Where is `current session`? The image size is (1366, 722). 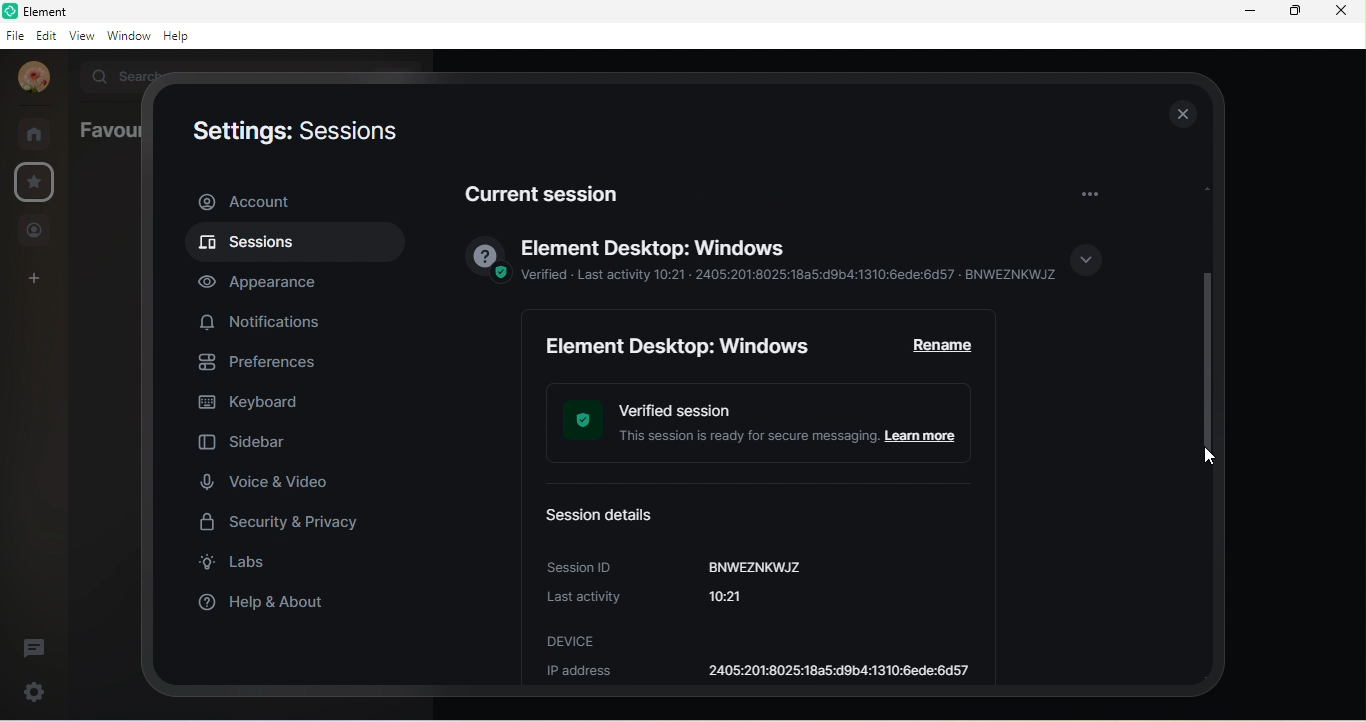
current session is located at coordinates (550, 189).